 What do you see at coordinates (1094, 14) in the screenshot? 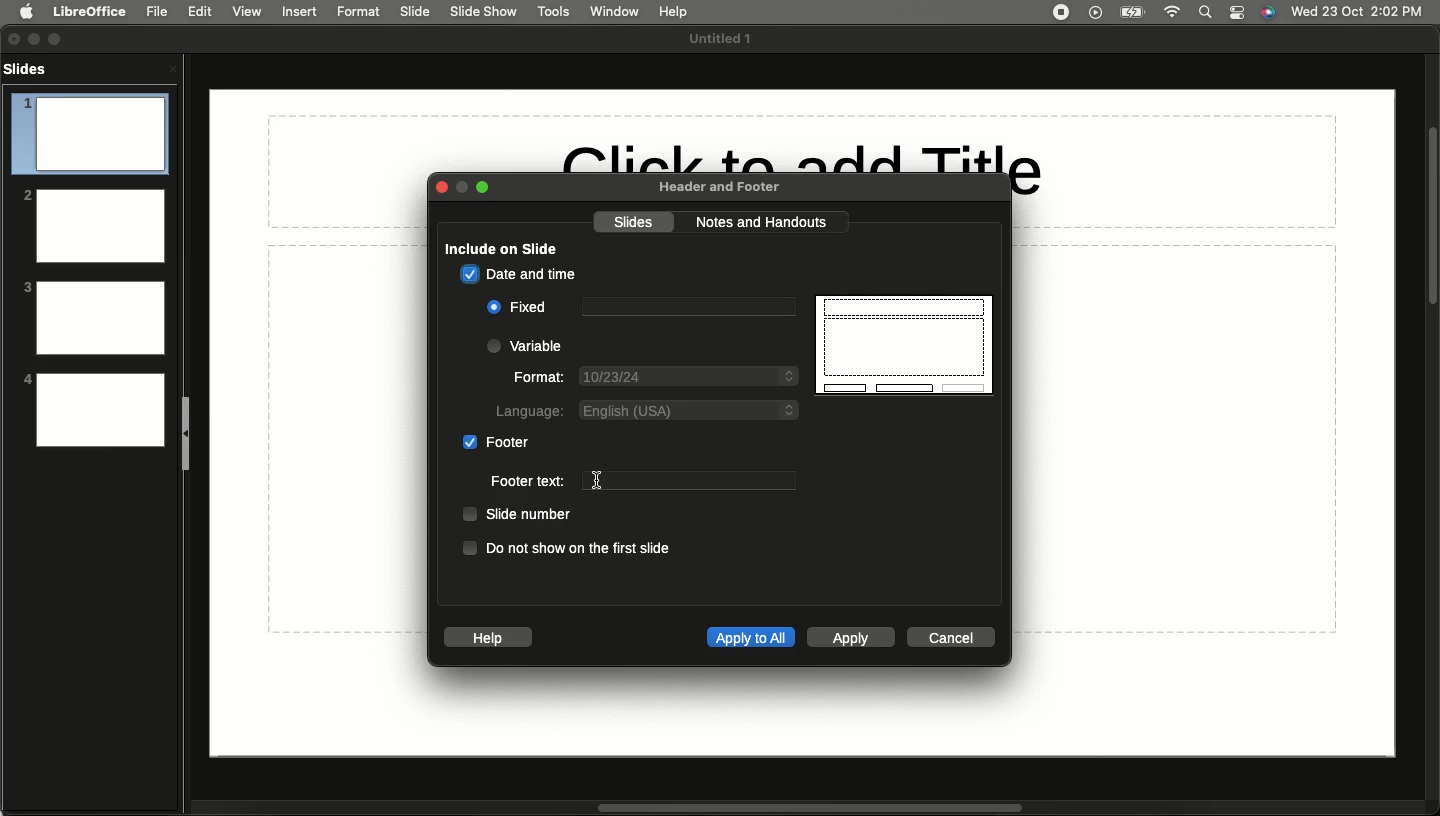
I see `Video player` at bounding box center [1094, 14].